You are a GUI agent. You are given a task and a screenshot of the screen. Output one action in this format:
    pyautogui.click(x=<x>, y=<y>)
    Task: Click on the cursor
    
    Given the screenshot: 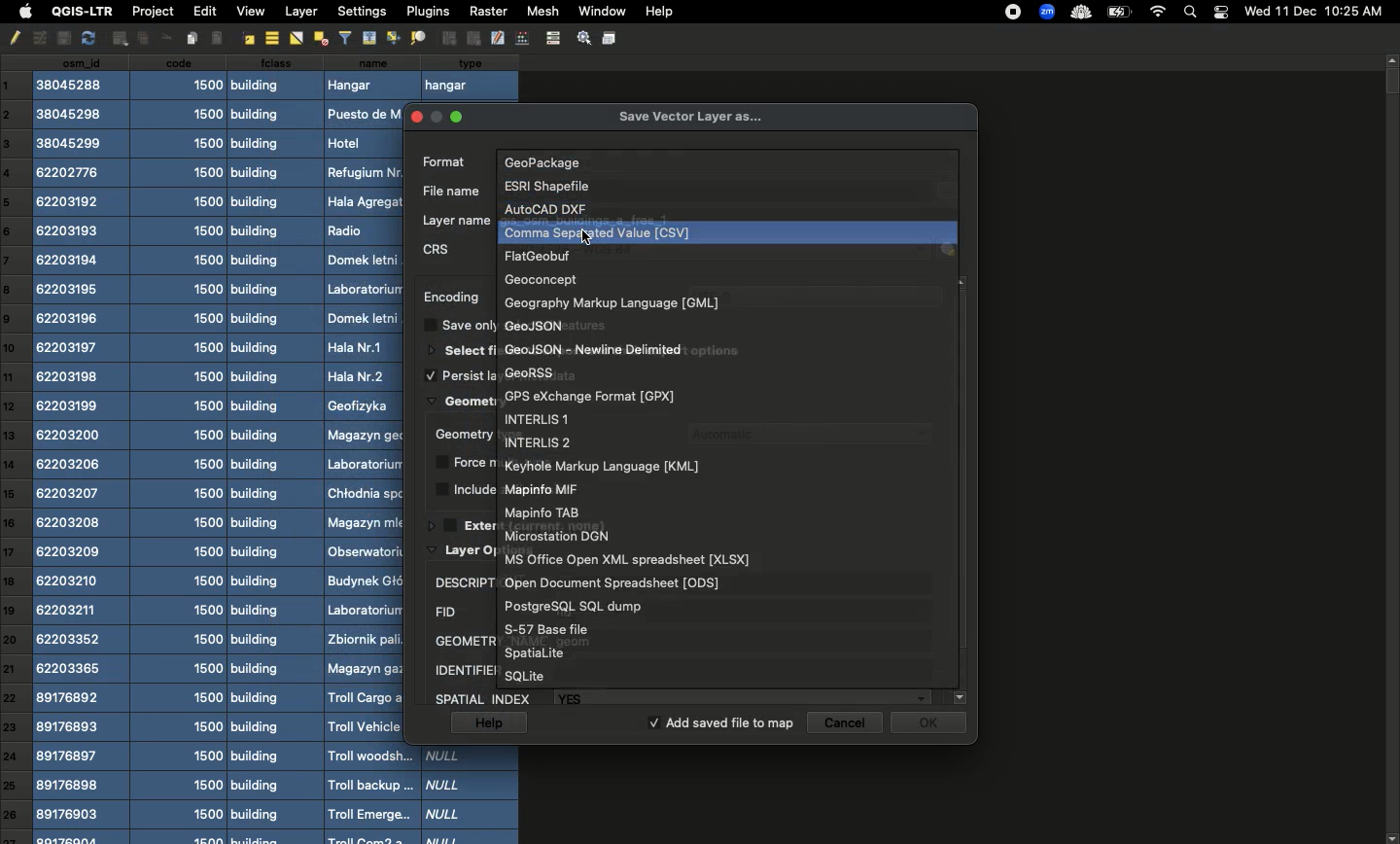 What is the action you would take?
    pyautogui.click(x=592, y=240)
    